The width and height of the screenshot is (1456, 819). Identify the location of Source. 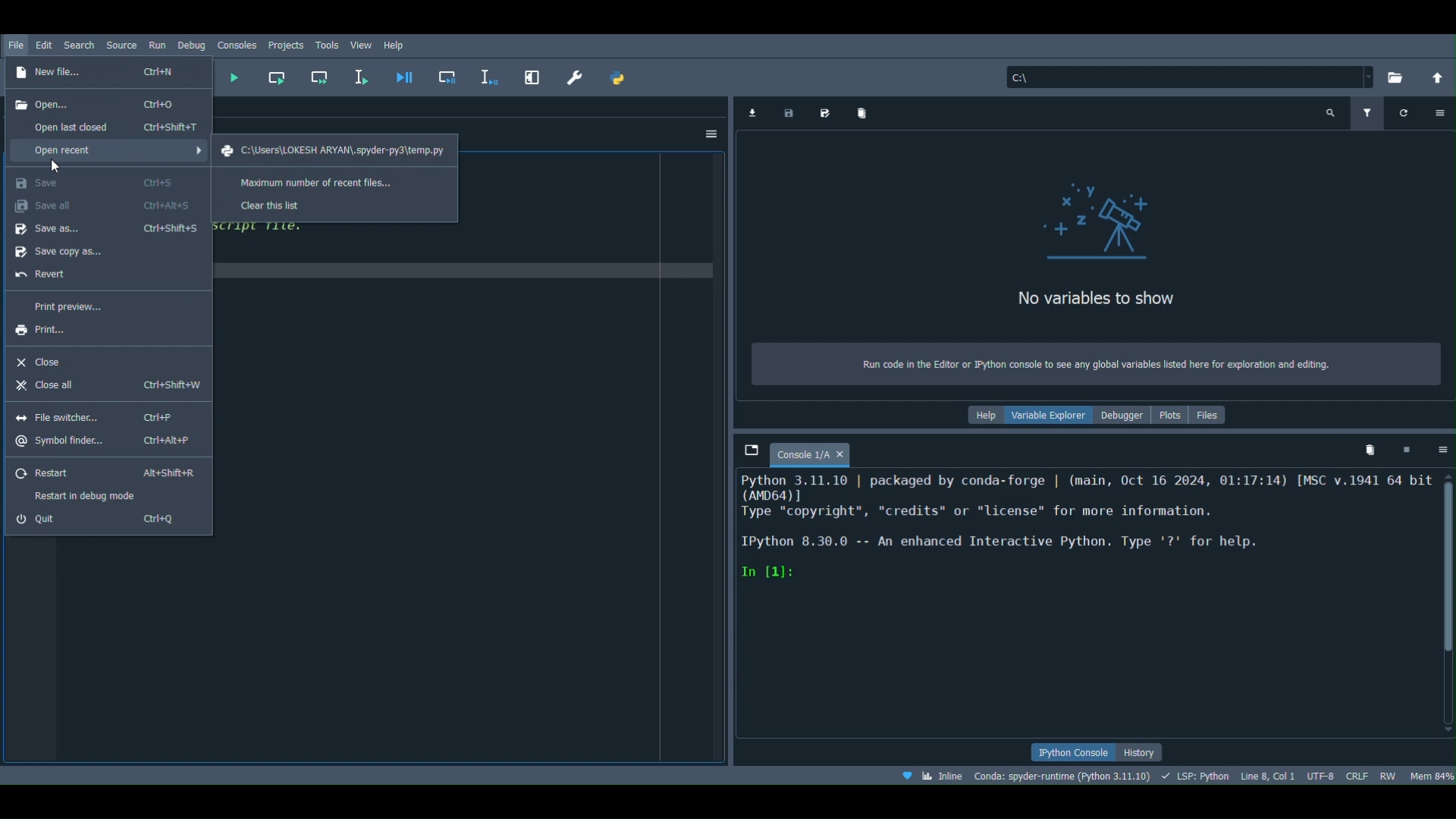
(121, 46).